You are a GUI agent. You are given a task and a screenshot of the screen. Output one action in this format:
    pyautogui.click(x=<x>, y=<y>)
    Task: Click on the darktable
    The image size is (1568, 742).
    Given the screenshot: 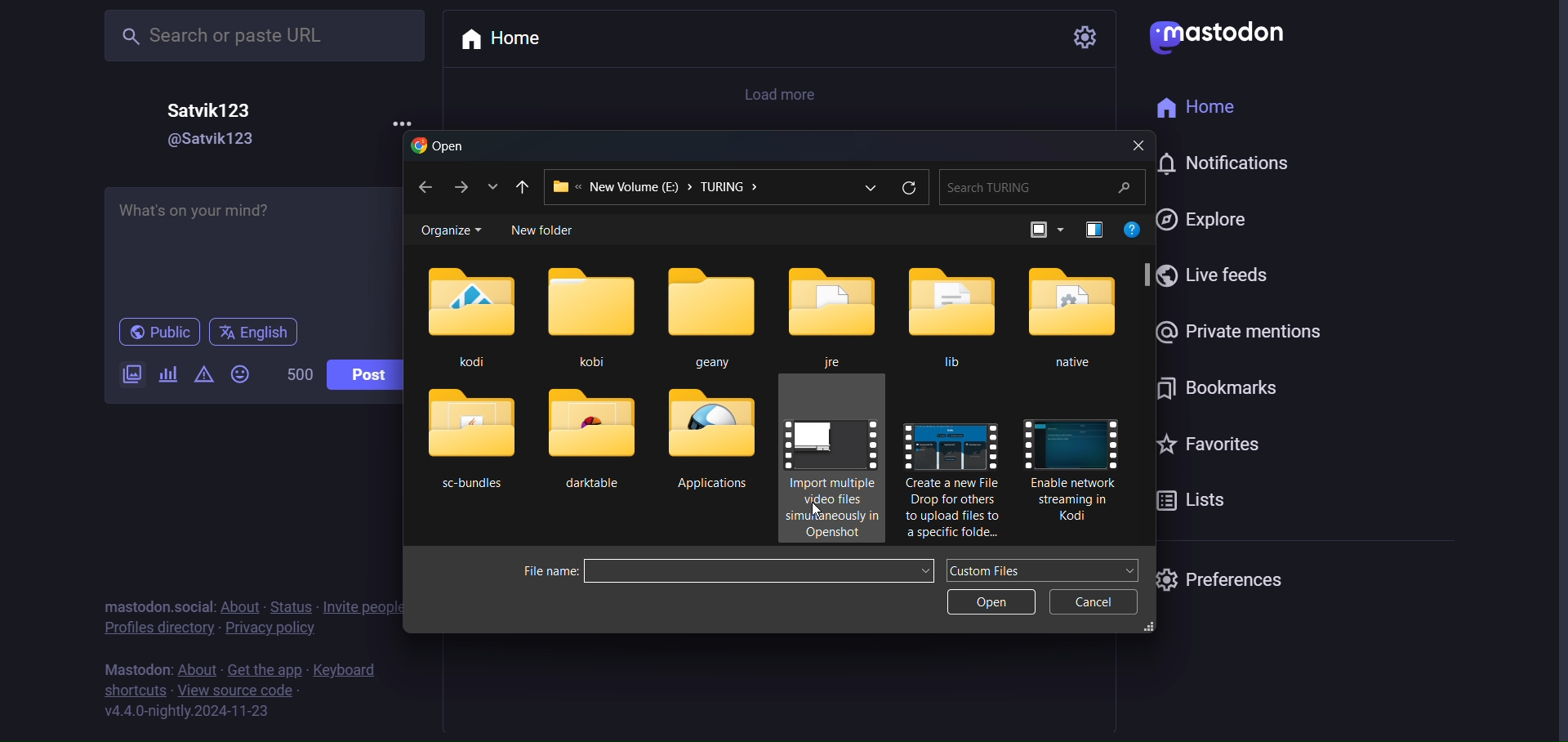 What is the action you would take?
    pyautogui.click(x=590, y=444)
    